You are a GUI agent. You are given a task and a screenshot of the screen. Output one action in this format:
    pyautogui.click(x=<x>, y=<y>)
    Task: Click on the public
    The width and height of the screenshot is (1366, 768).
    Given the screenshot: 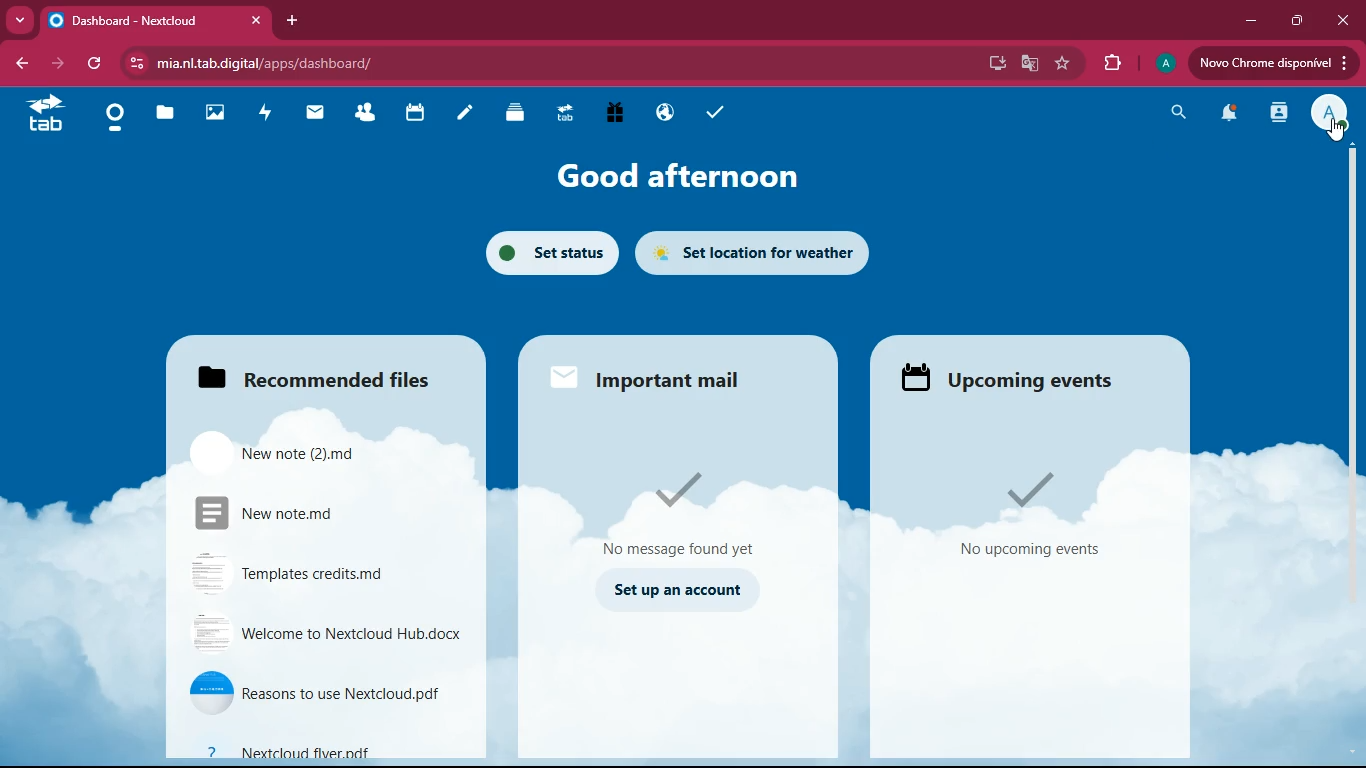 What is the action you would take?
    pyautogui.click(x=666, y=114)
    